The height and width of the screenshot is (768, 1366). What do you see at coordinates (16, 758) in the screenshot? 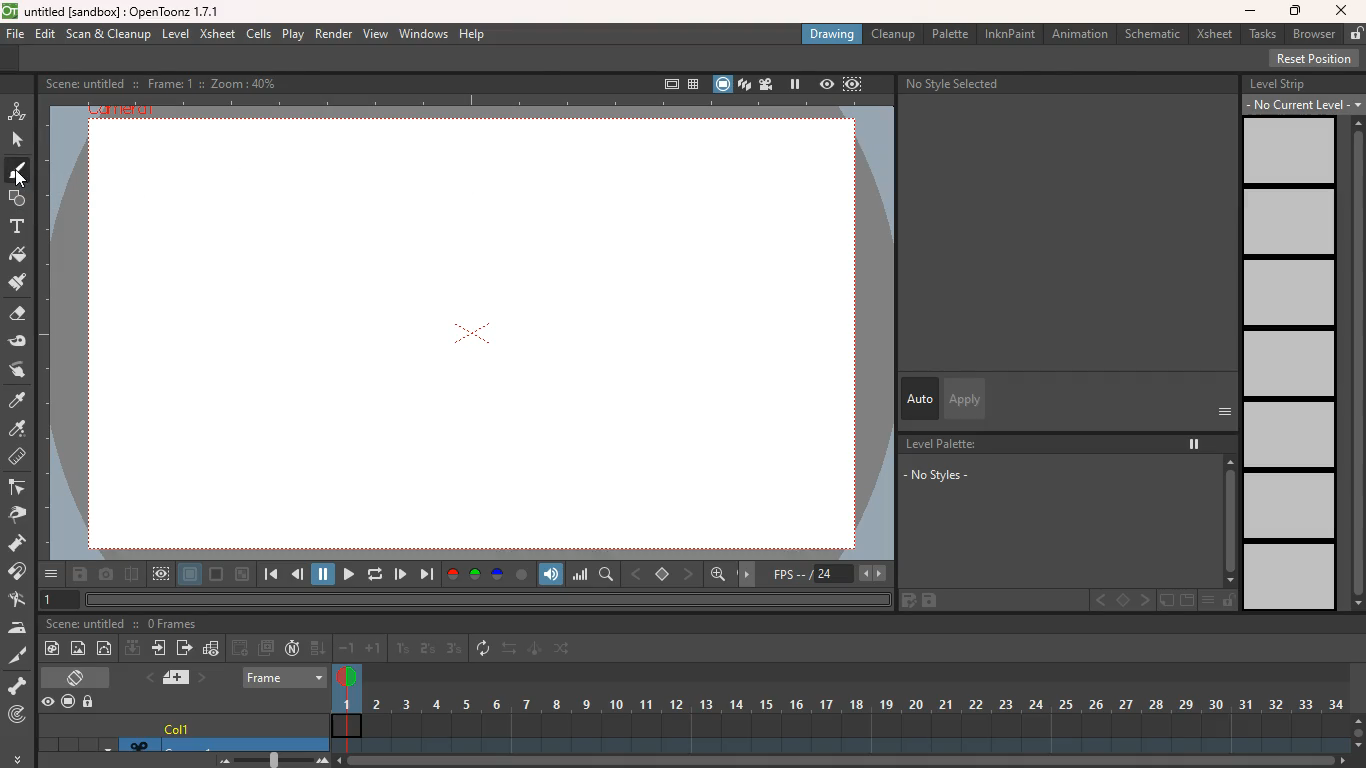
I see `more` at bounding box center [16, 758].